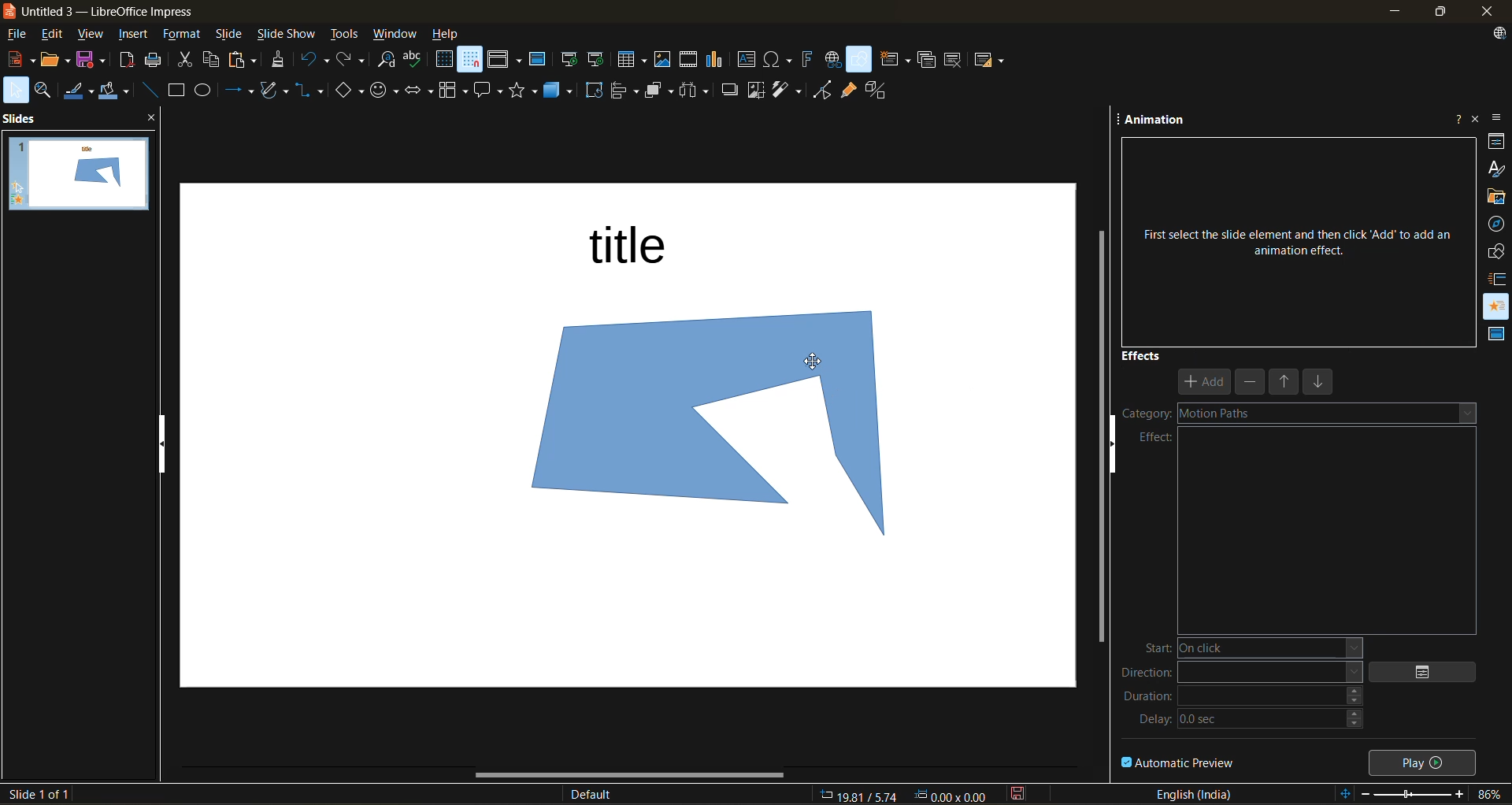 The image size is (1512, 805). I want to click on cursor, so click(814, 362).